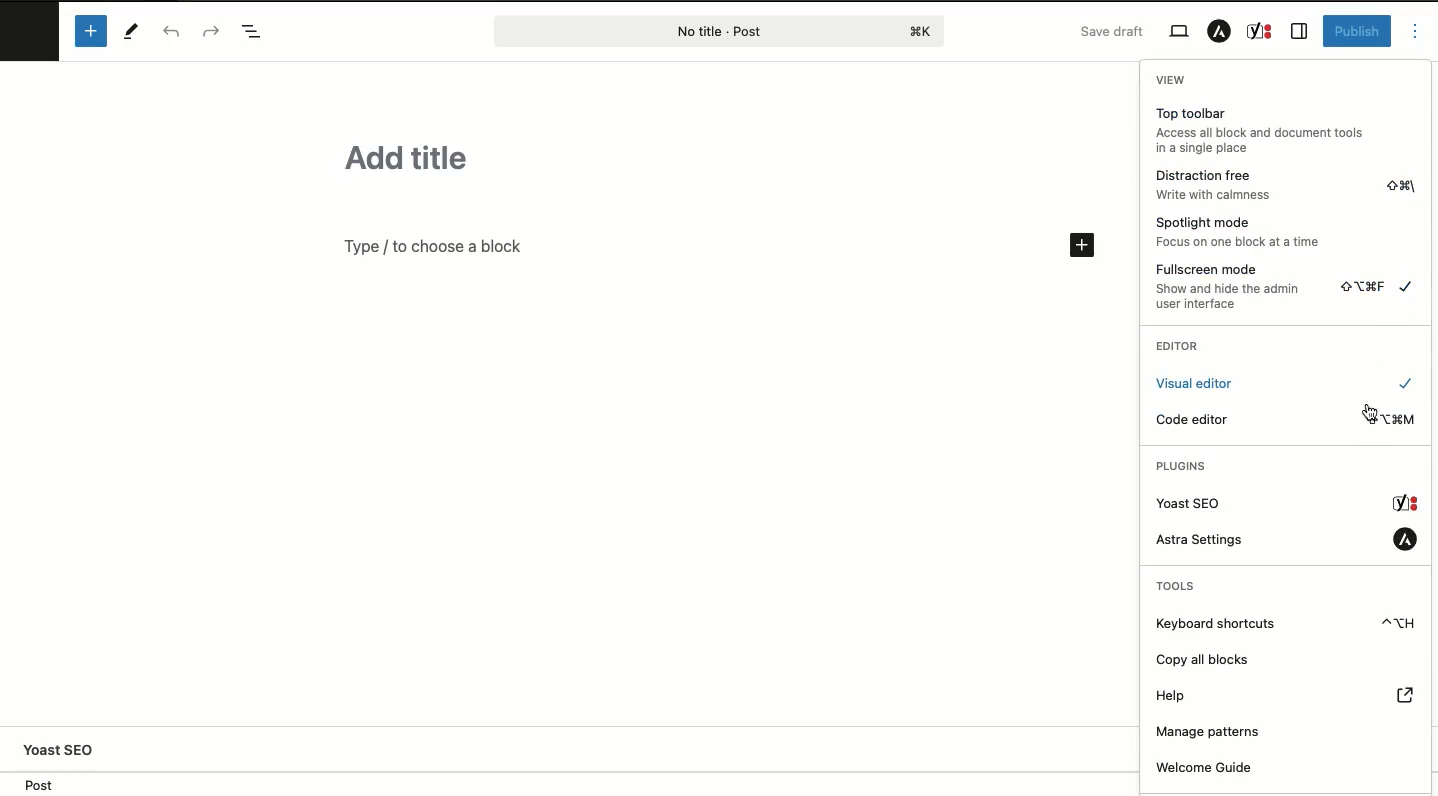 The height and width of the screenshot is (796, 1438). What do you see at coordinates (1368, 411) in the screenshot?
I see `cursor` at bounding box center [1368, 411].